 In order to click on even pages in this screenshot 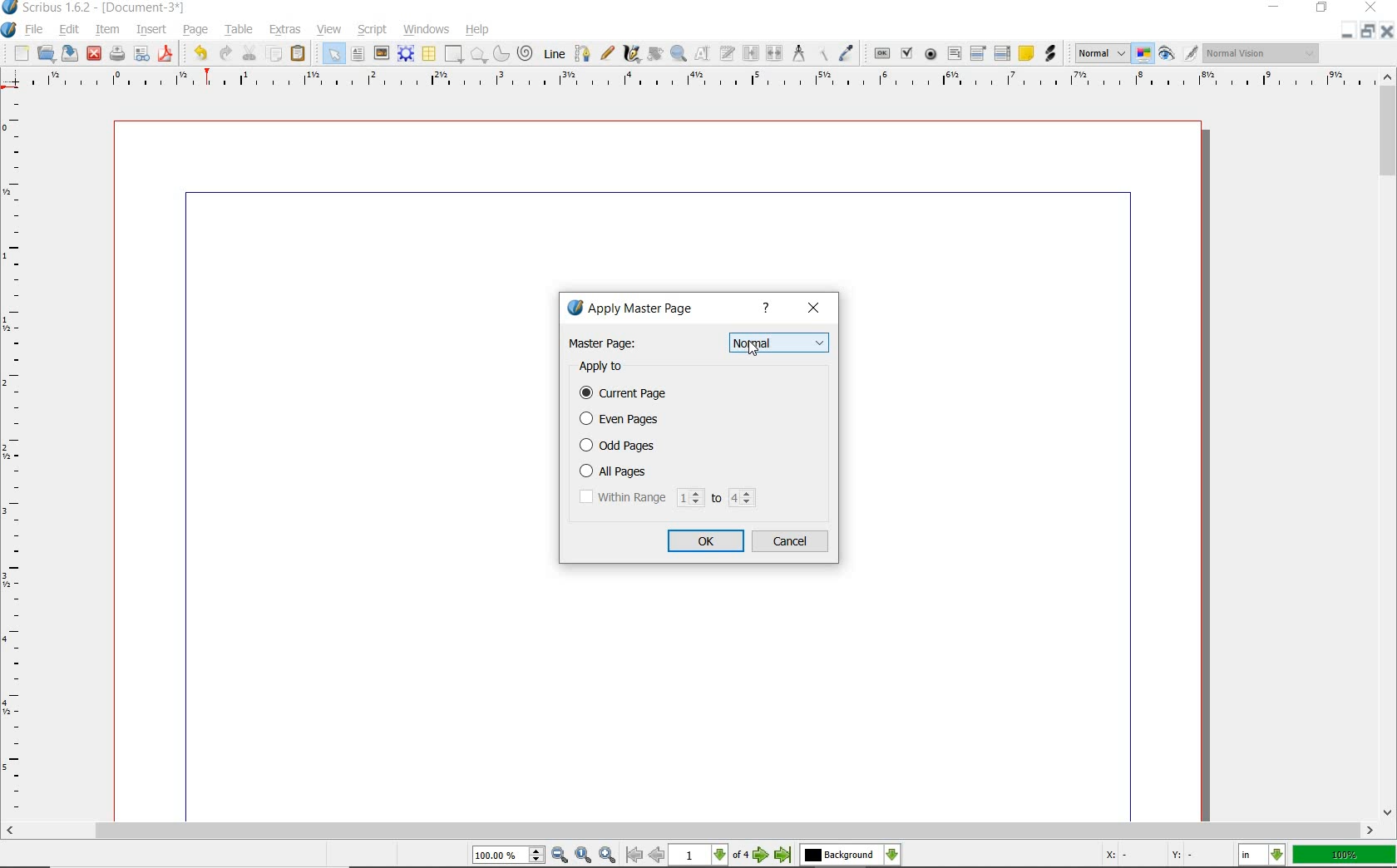, I will do `click(623, 421)`.